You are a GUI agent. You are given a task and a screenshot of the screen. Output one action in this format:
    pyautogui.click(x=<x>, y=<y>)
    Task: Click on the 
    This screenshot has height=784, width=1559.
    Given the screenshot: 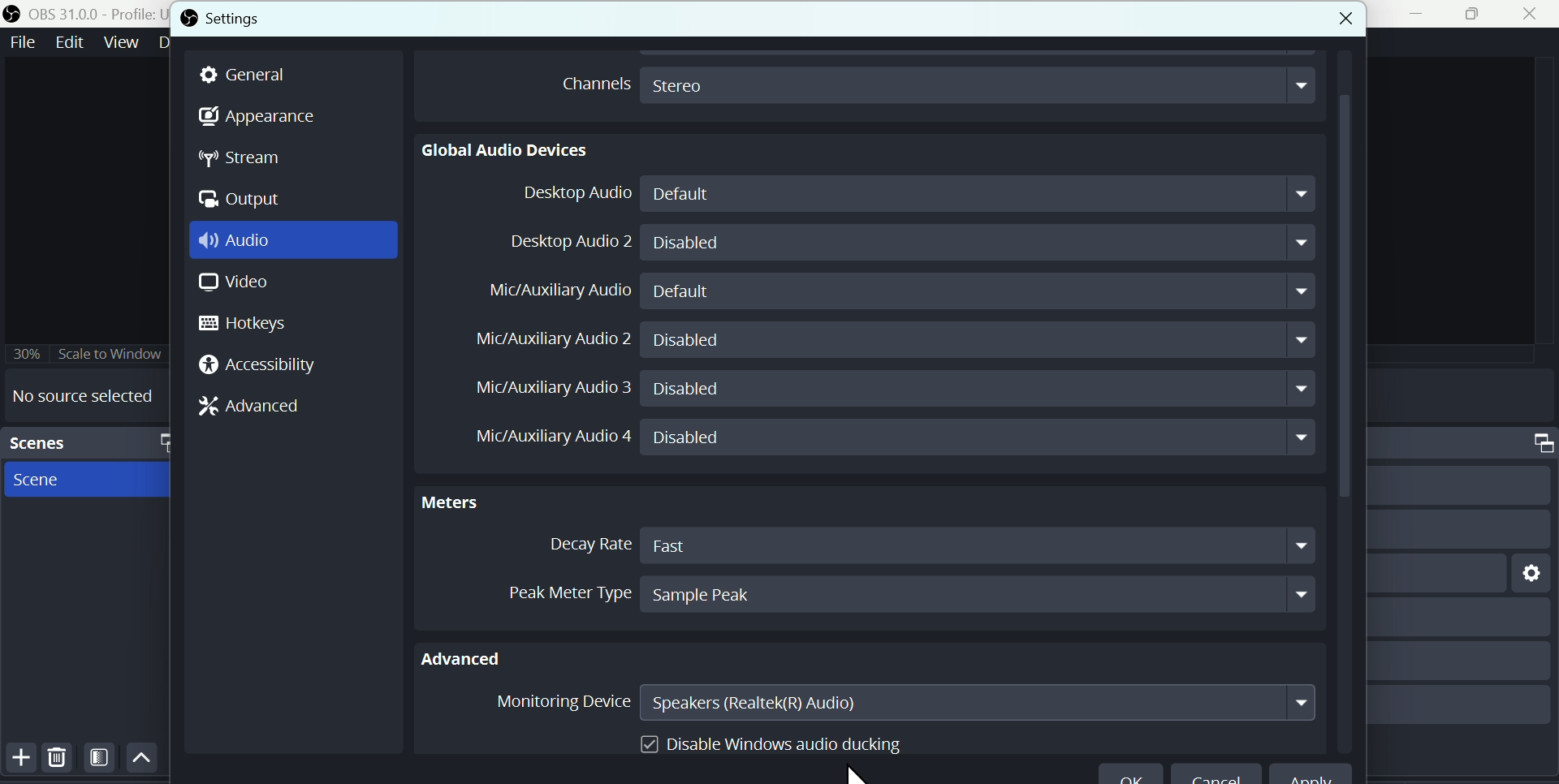 What is the action you would take?
    pyautogui.click(x=18, y=759)
    